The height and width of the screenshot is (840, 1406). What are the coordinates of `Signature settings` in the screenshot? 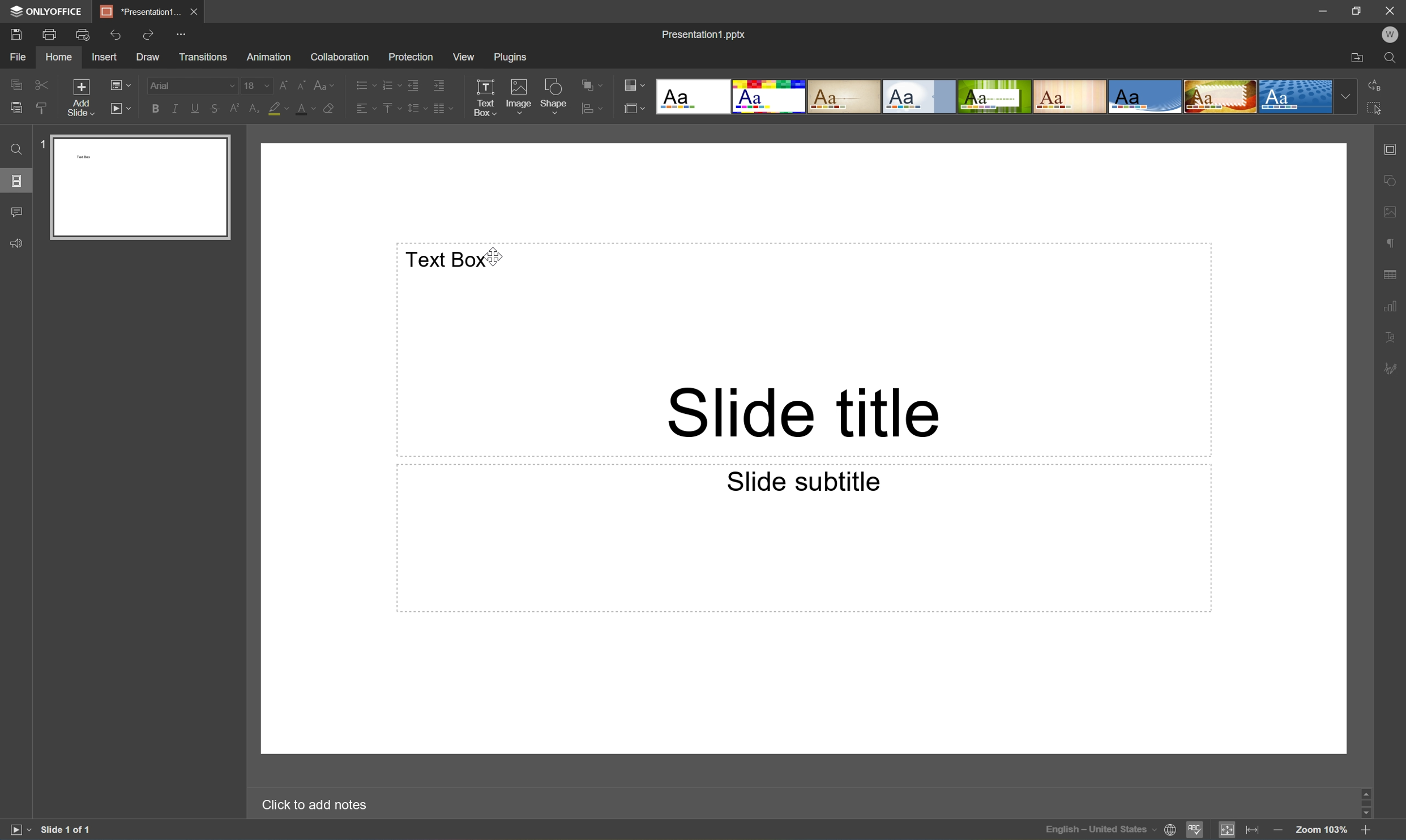 It's located at (1394, 367).